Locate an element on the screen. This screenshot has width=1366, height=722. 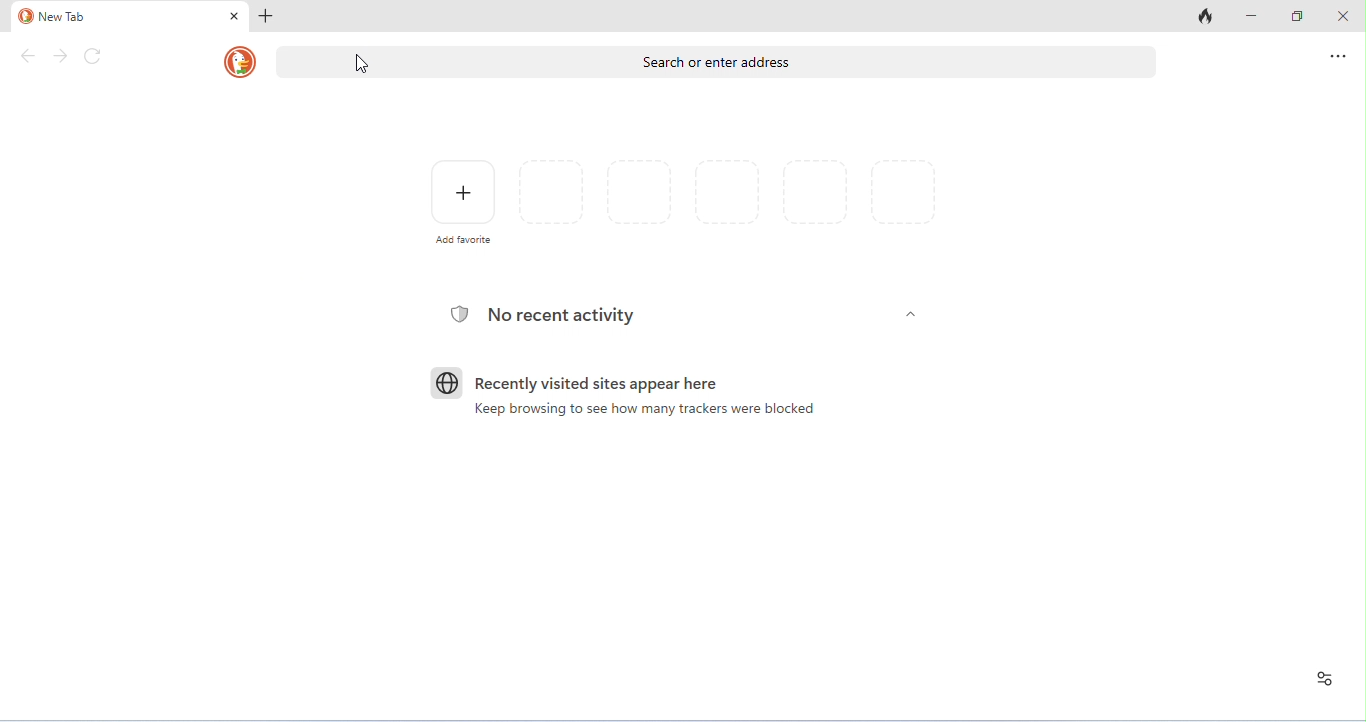
add new tab is located at coordinates (268, 18).